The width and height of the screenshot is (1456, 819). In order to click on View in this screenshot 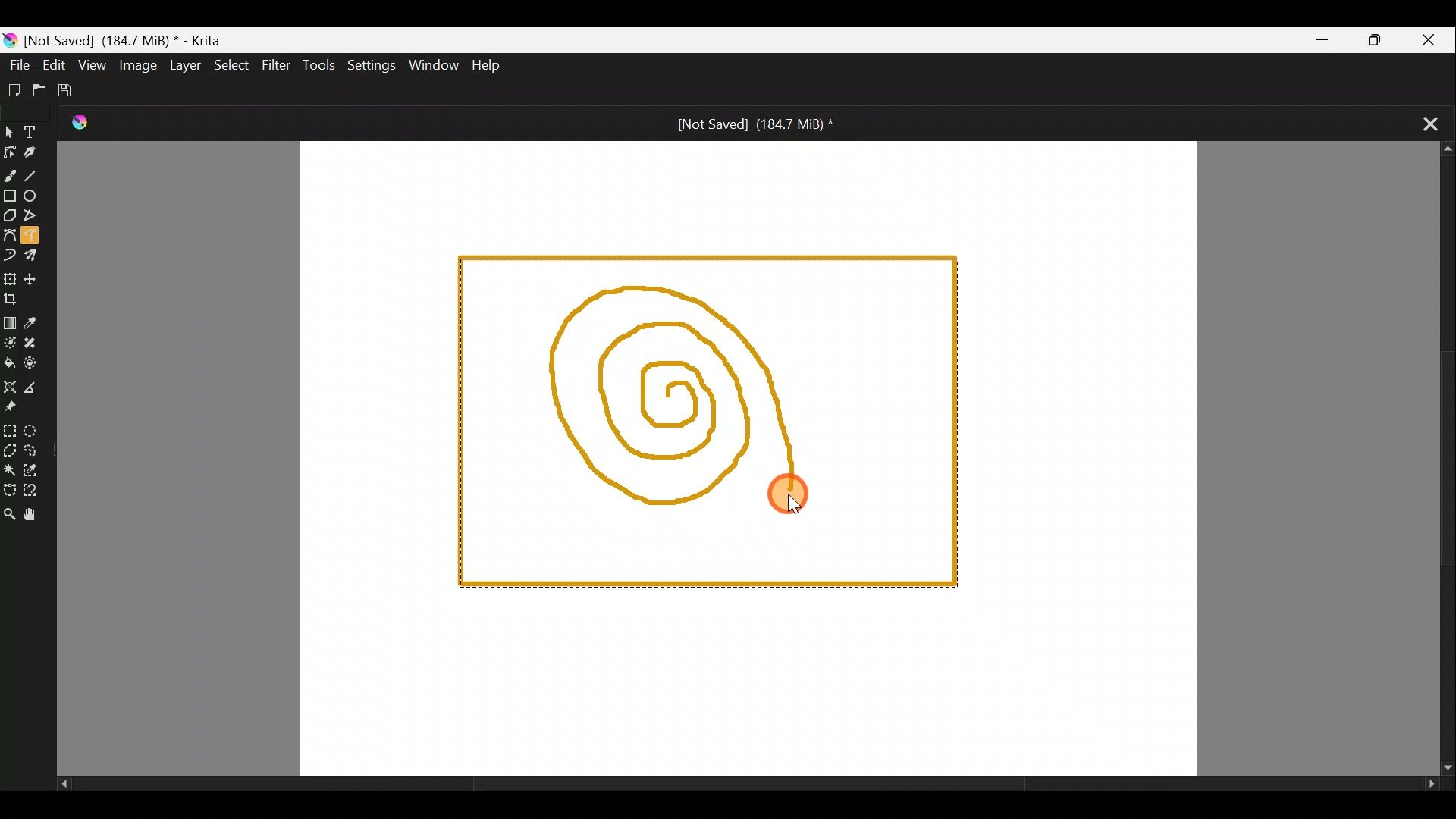, I will do `click(92, 65)`.